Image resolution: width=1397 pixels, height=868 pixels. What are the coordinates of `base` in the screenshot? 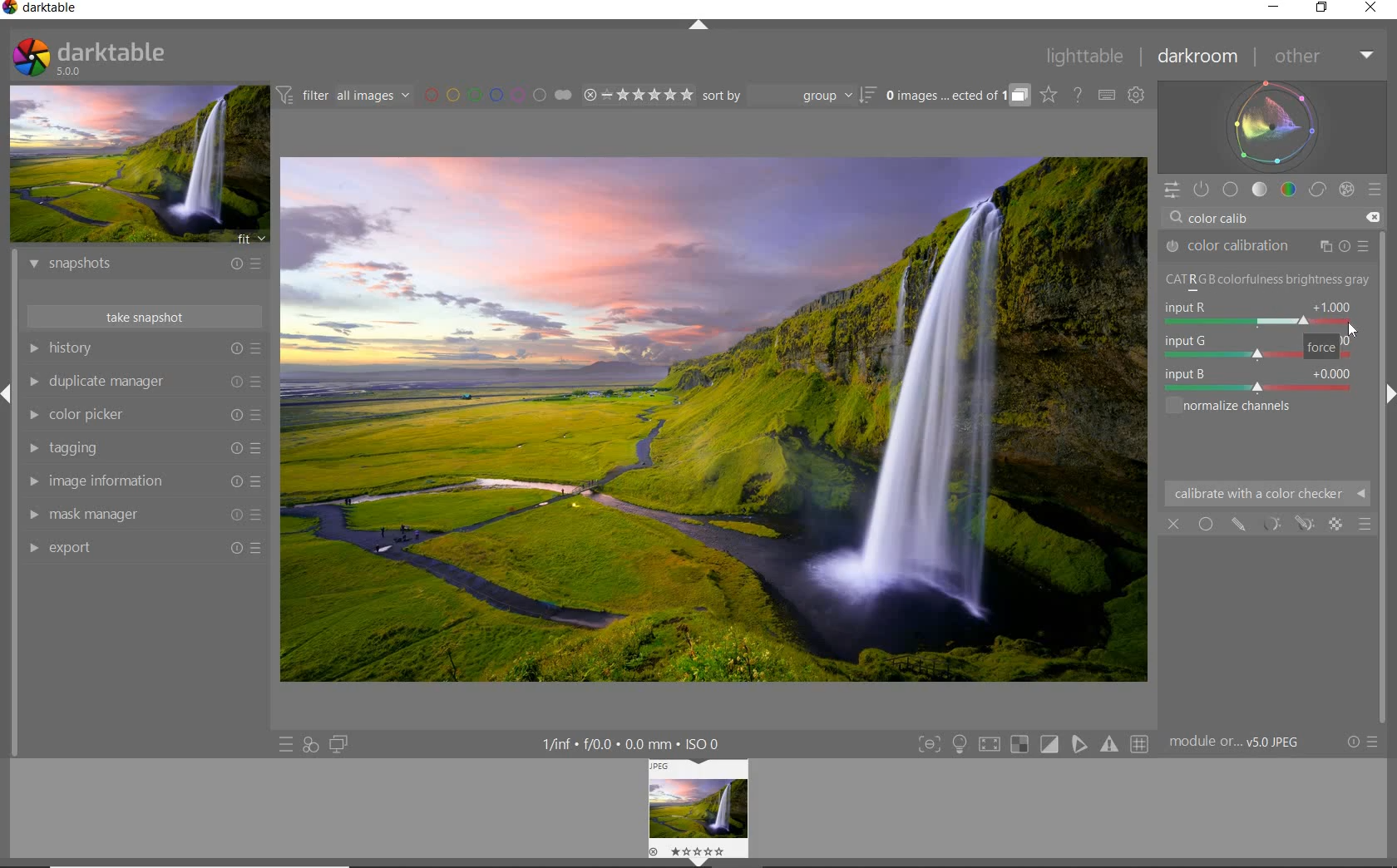 It's located at (1232, 189).